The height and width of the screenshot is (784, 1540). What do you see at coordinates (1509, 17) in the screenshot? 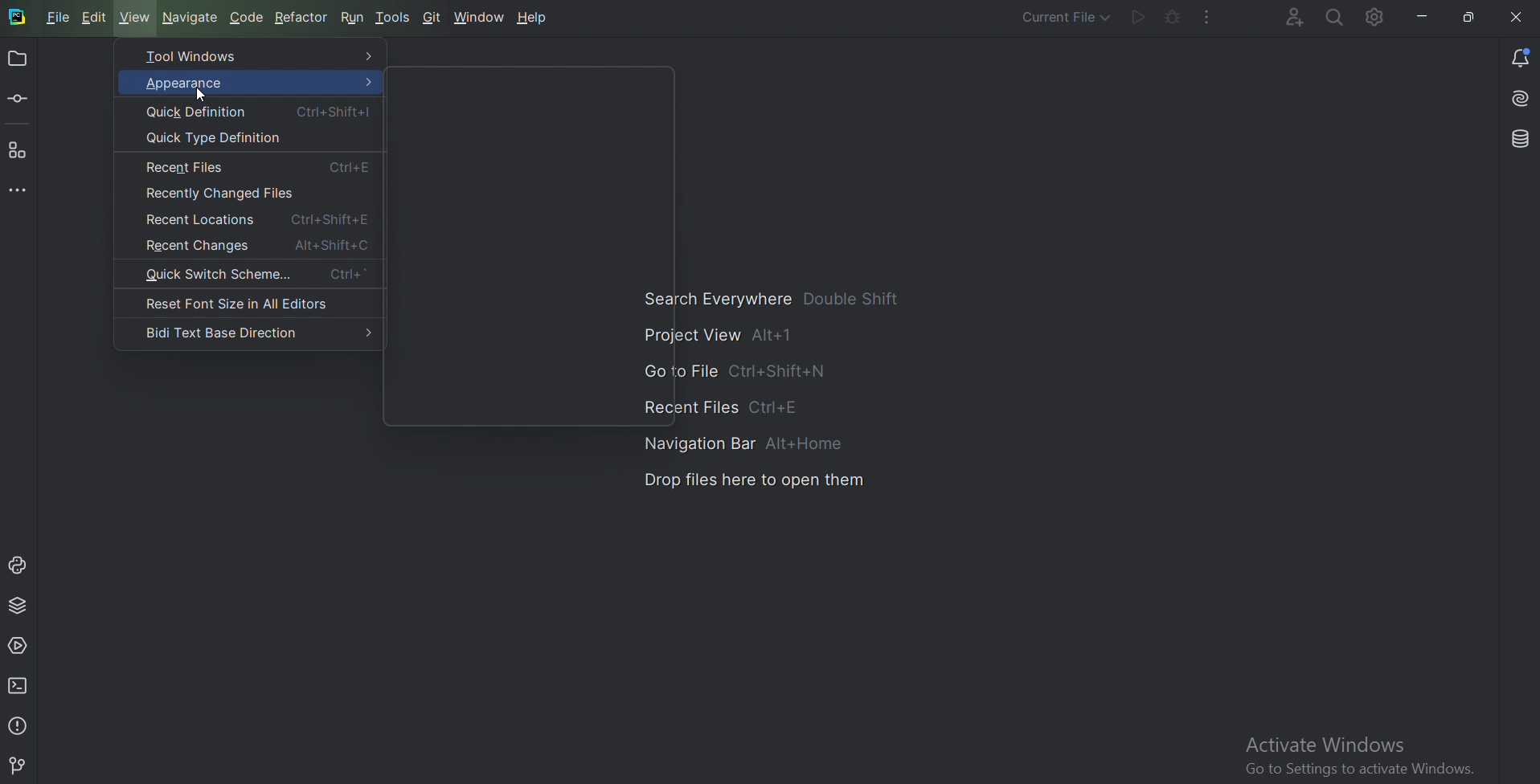
I see `Cross` at bounding box center [1509, 17].